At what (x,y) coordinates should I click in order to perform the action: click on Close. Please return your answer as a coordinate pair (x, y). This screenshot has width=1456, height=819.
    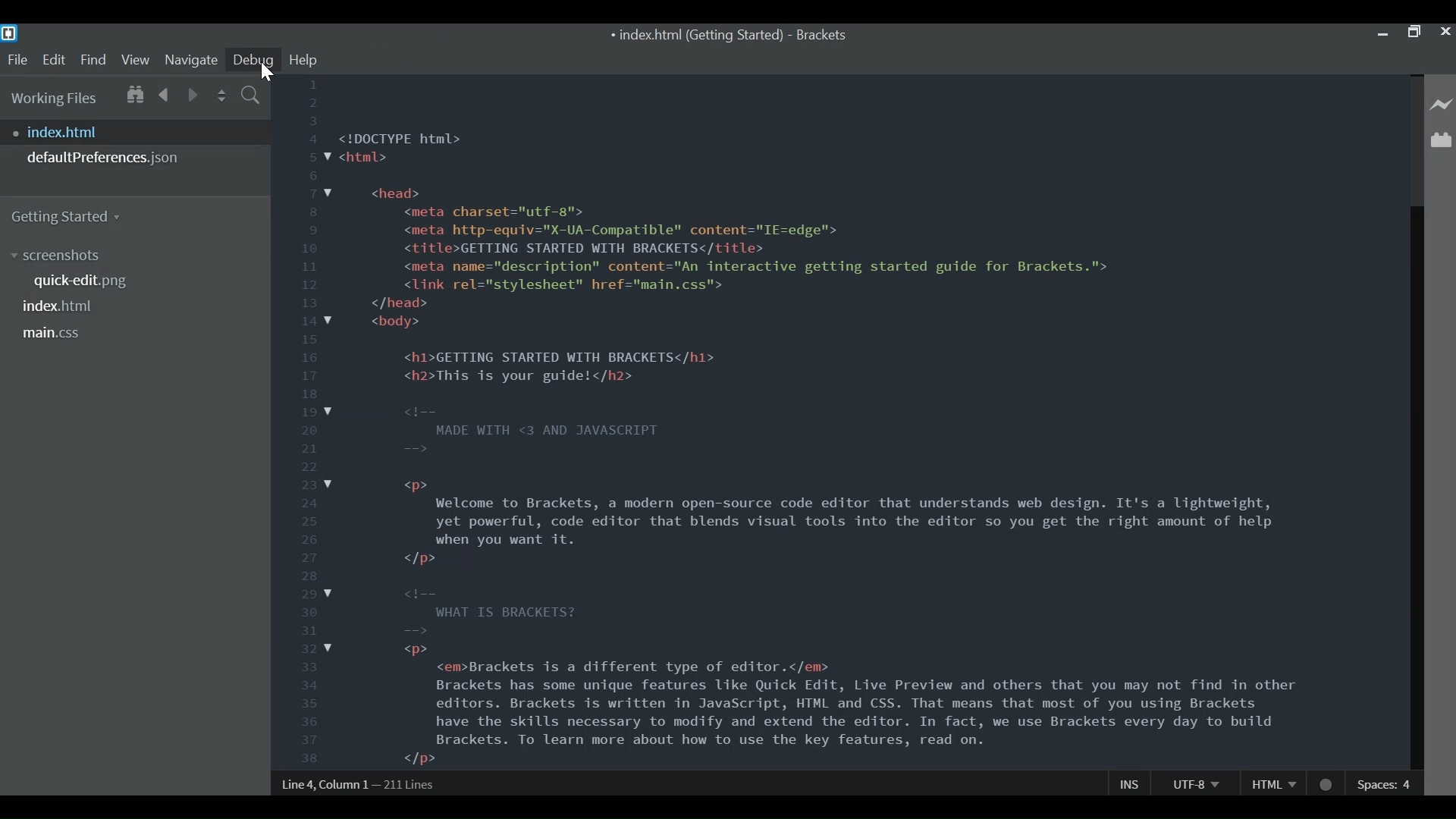
    Looking at the image, I should click on (1445, 32).